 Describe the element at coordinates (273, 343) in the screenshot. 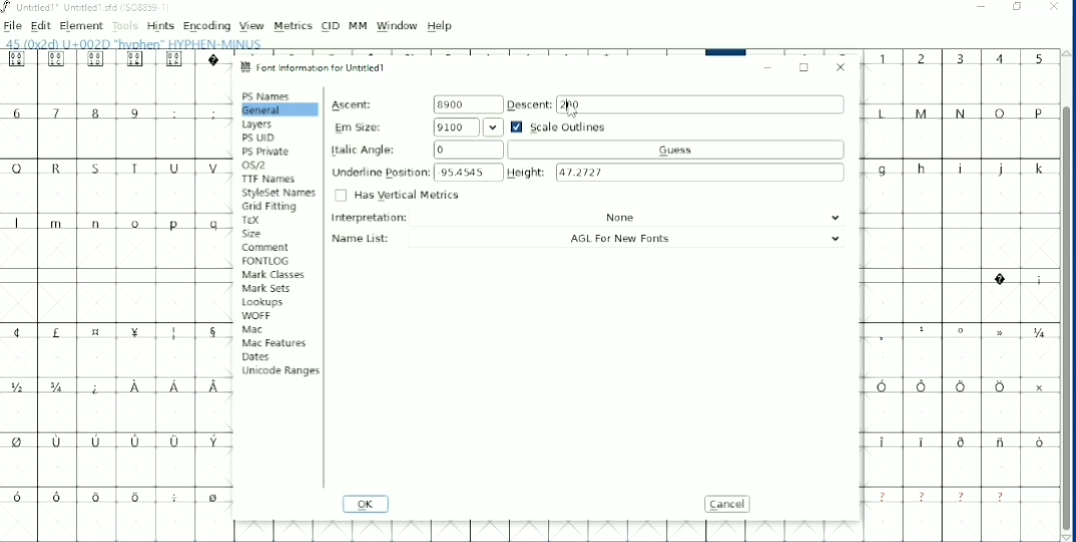

I see `Mac Features` at that location.